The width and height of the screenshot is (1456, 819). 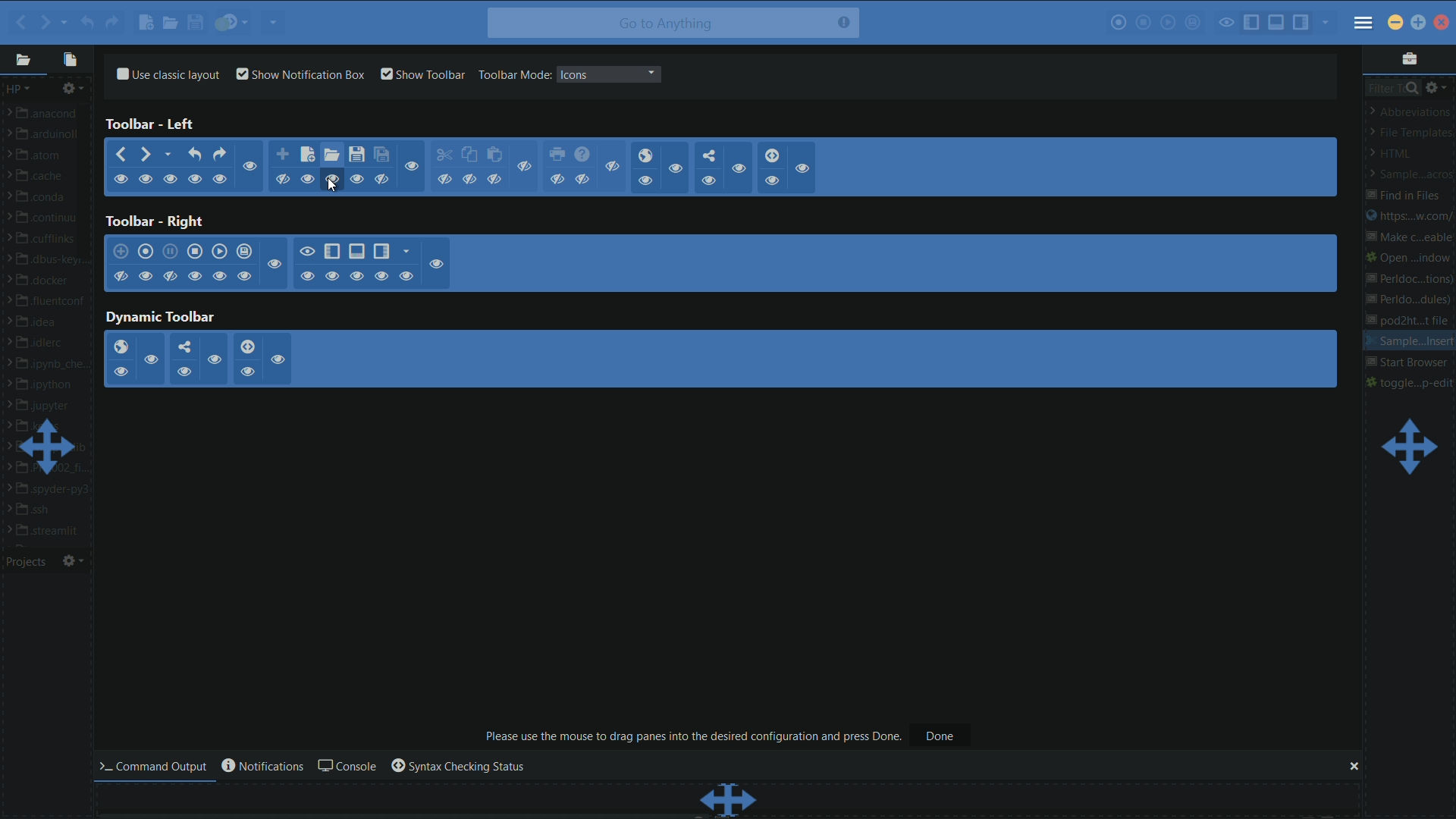 I want to click on new file, so click(x=145, y=22).